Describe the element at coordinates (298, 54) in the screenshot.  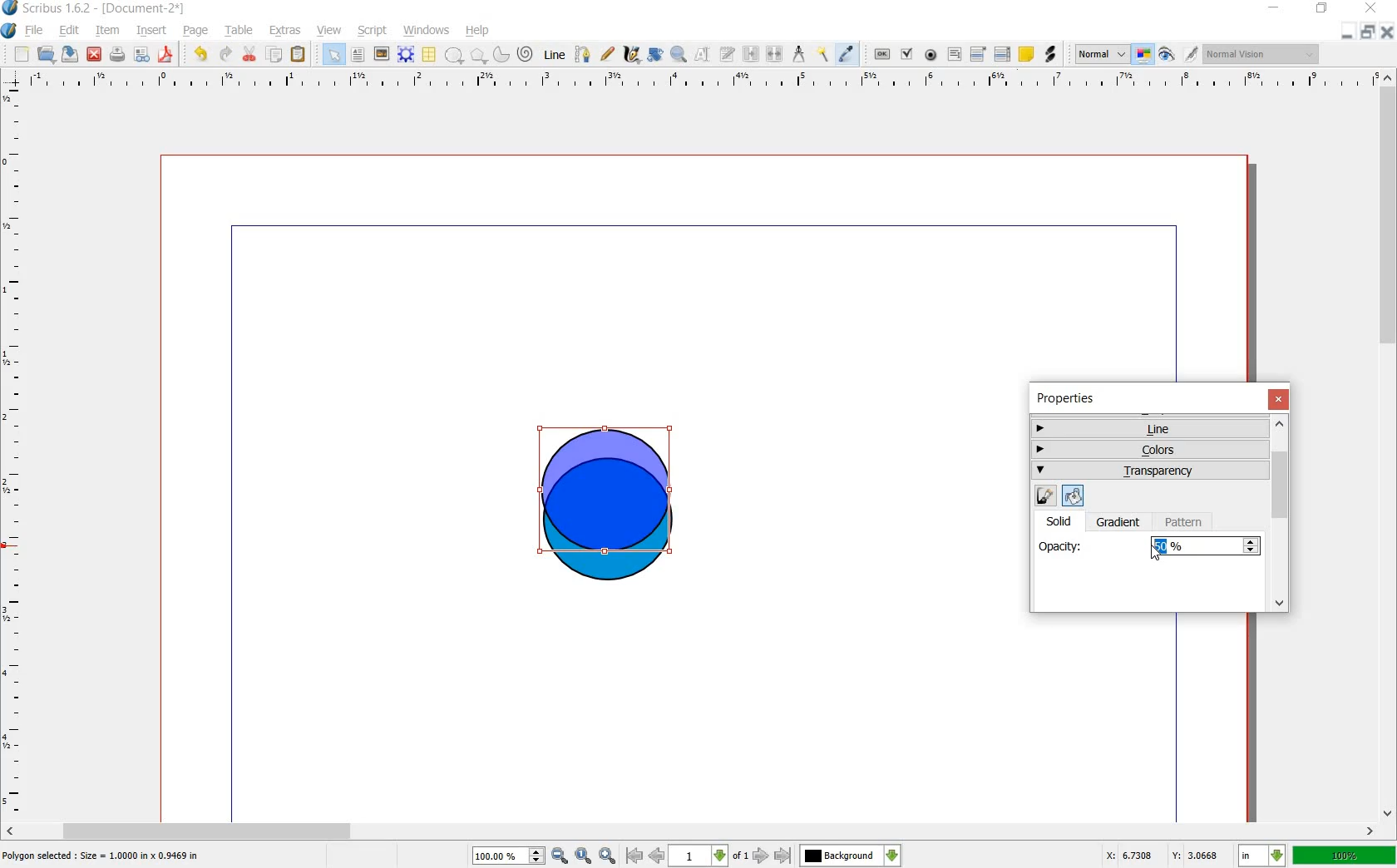
I see `paste` at that location.